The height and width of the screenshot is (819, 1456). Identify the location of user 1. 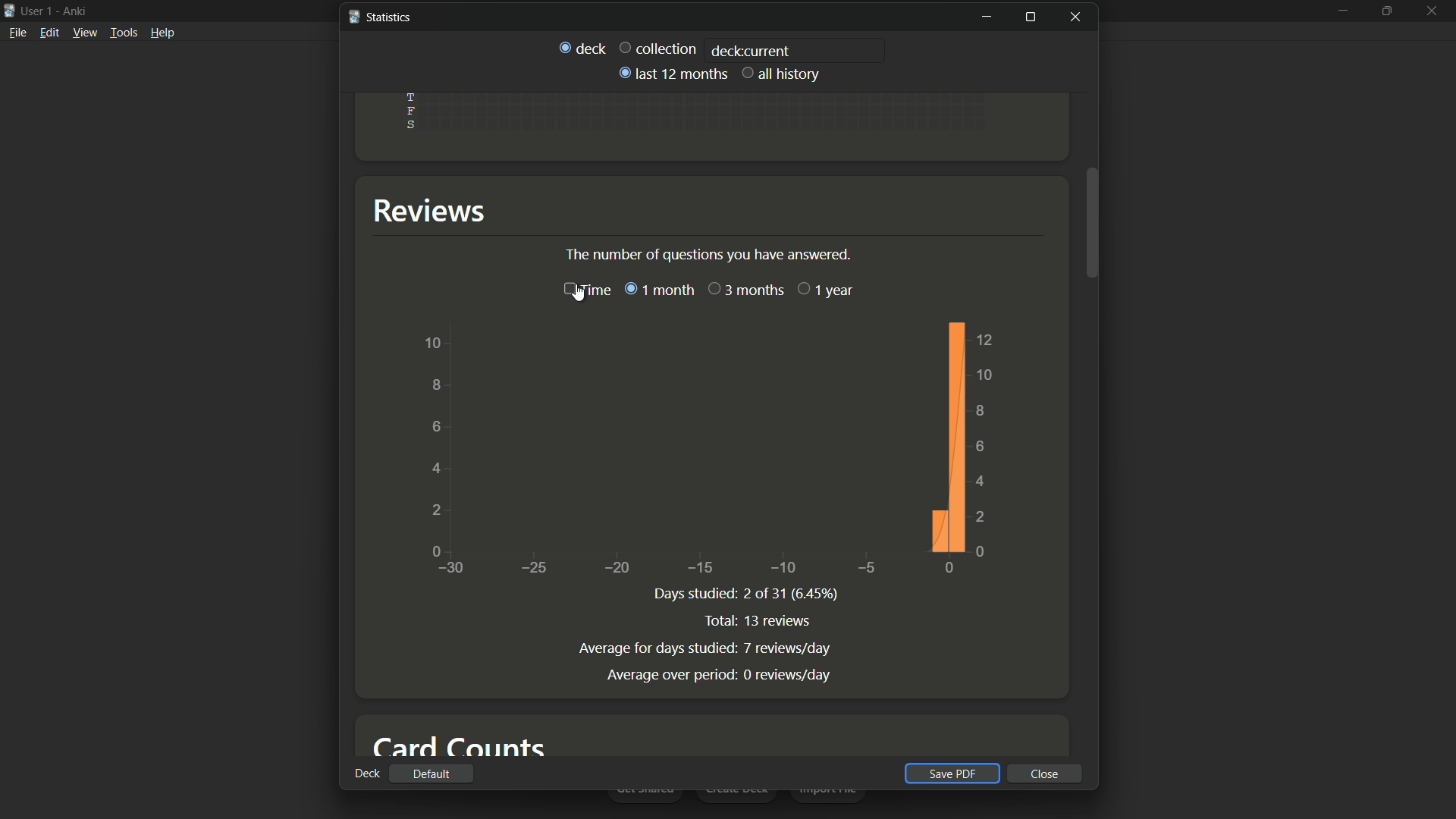
(39, 11).